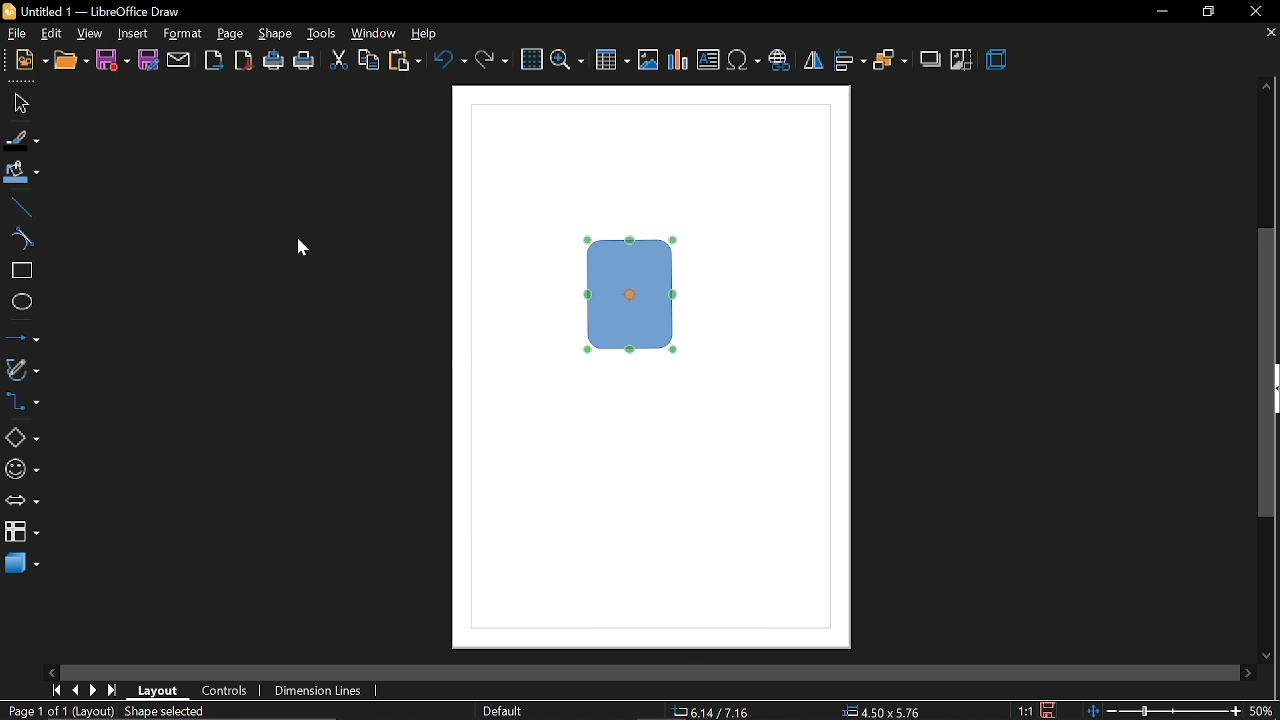  I want to click on scaling factor, so click(1022, 710).